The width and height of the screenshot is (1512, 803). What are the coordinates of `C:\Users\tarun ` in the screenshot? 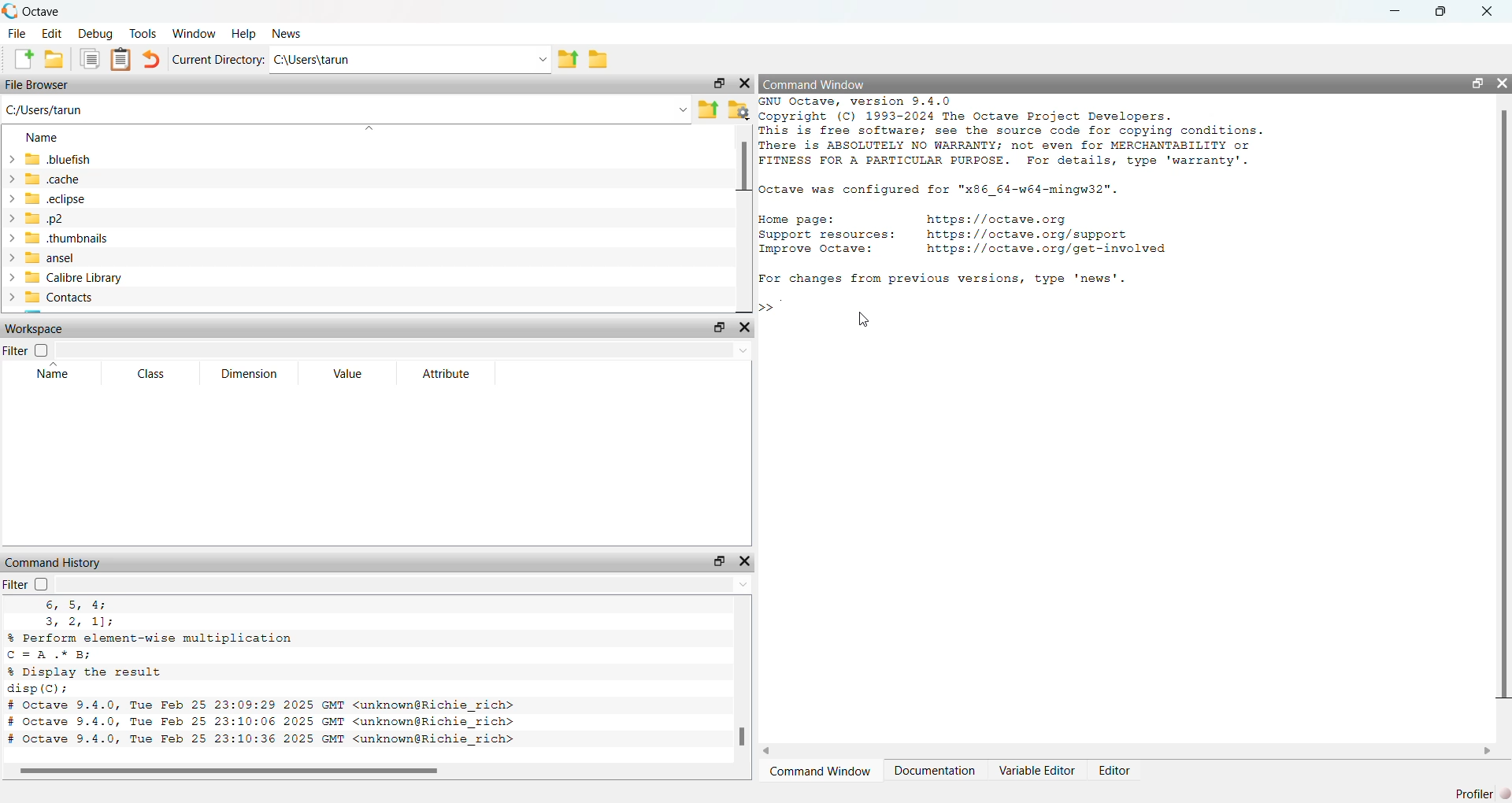 It's located at (409, 60).